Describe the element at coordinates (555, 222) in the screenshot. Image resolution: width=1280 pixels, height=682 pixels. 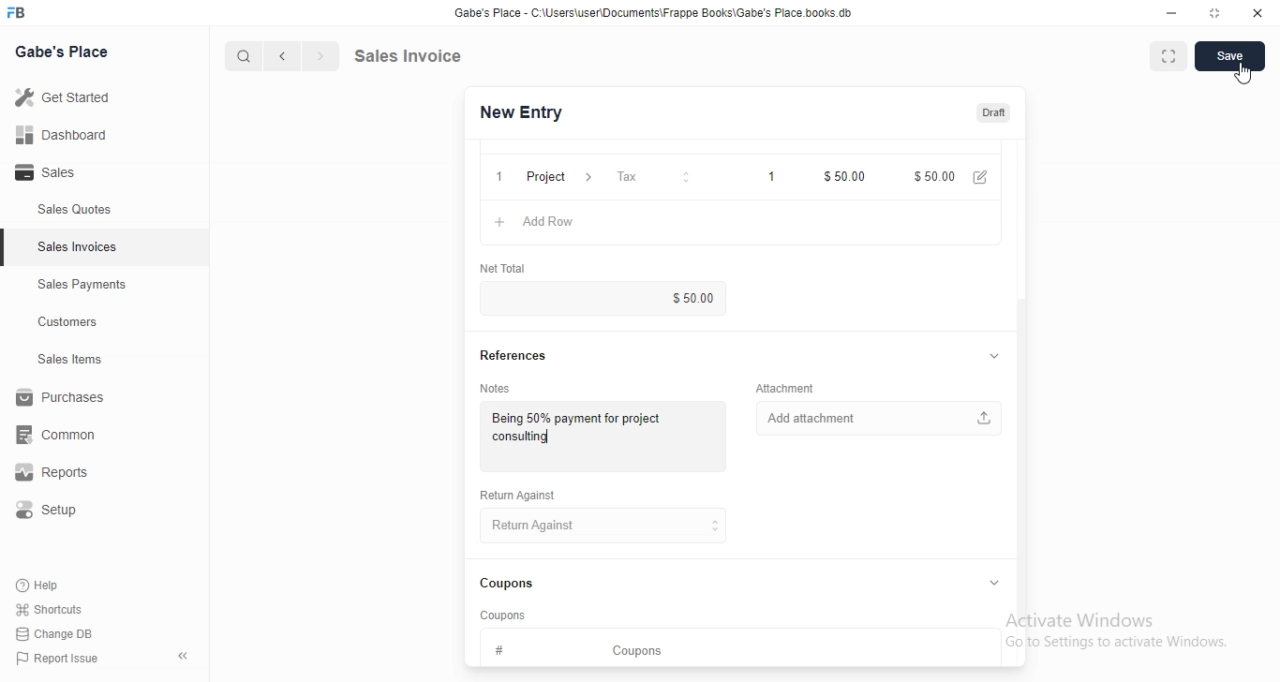
I see `Add row` at that location.